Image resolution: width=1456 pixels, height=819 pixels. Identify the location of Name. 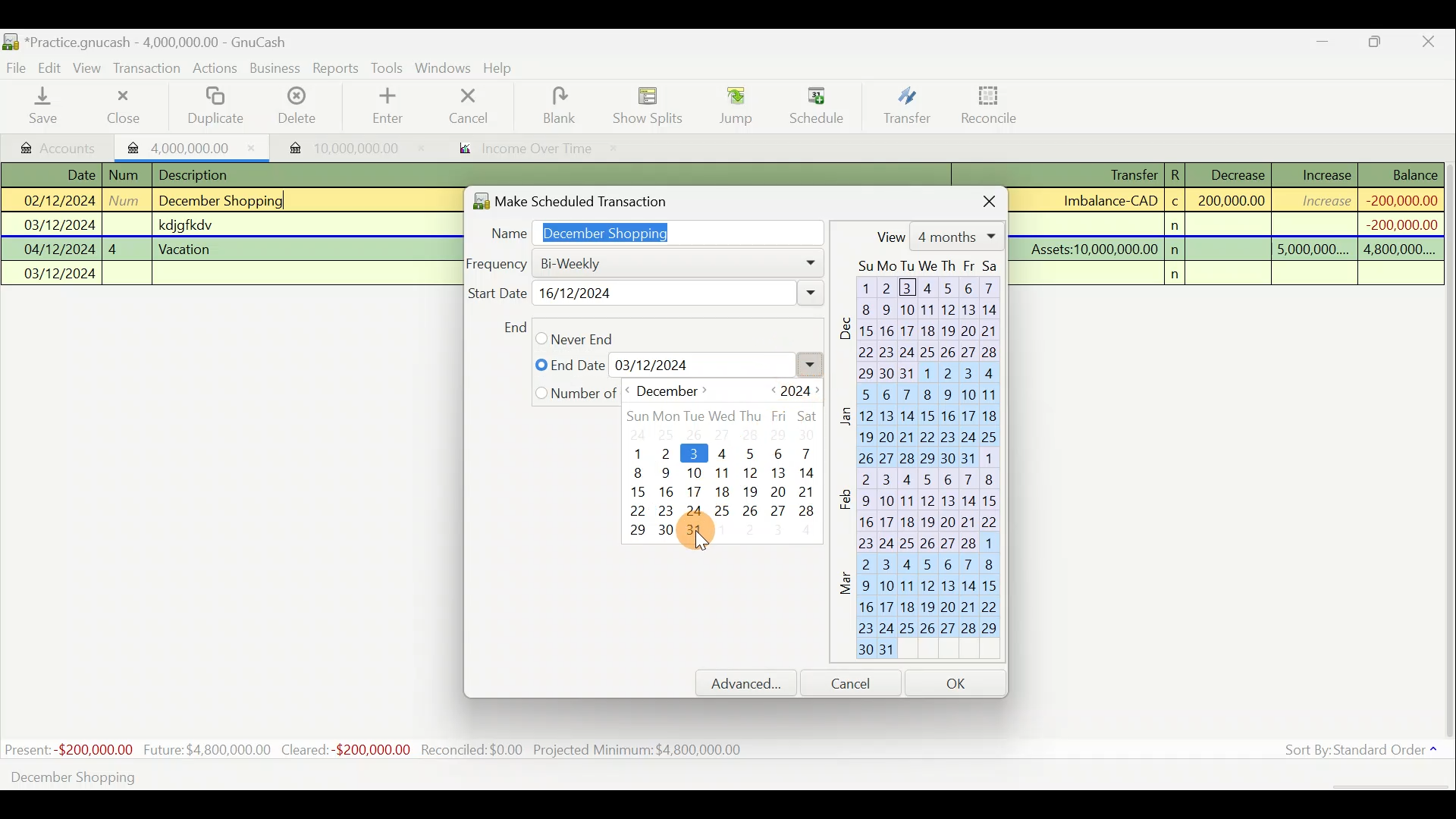
(649, 230).